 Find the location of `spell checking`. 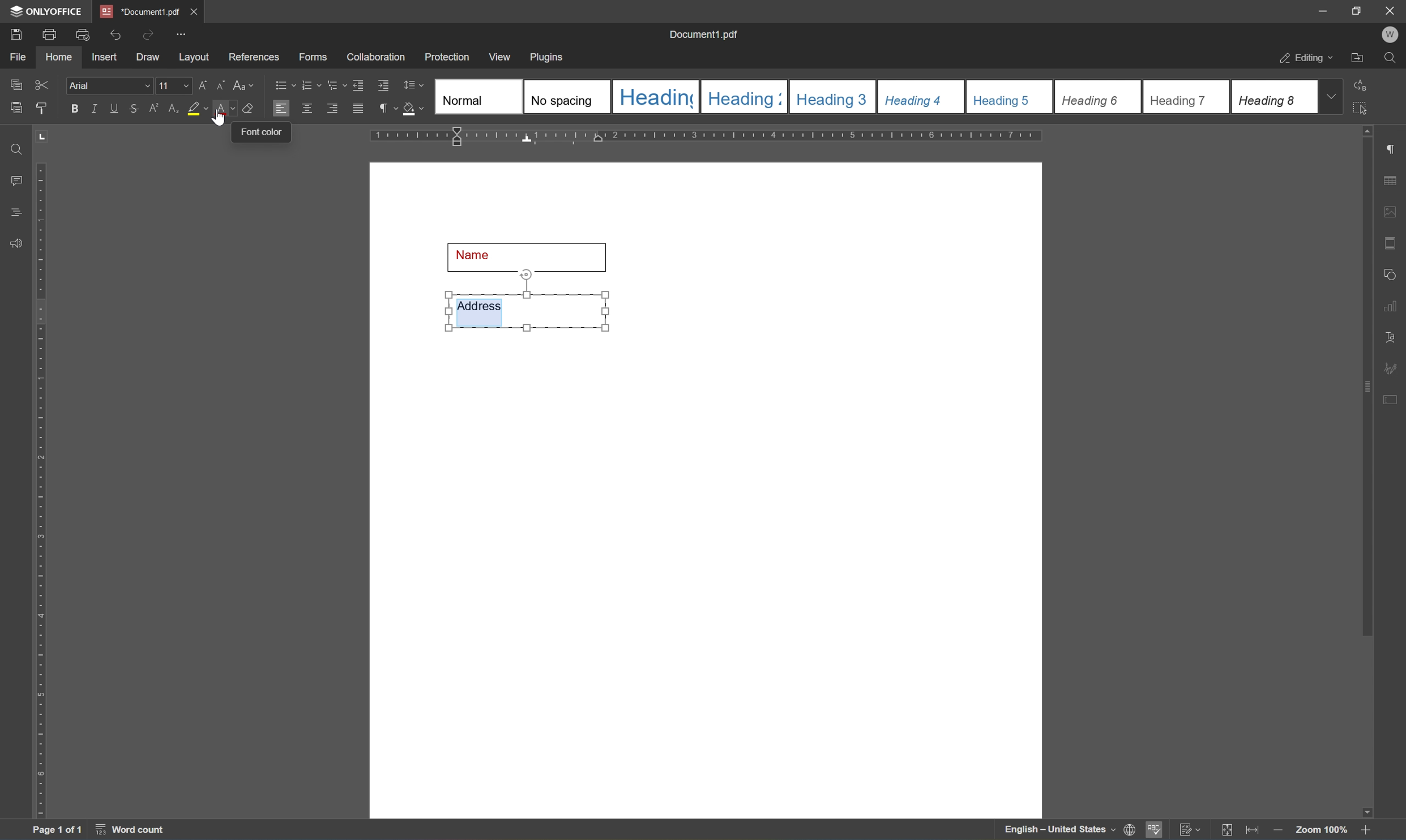

spell checking is located at coordinates (1155, 832).